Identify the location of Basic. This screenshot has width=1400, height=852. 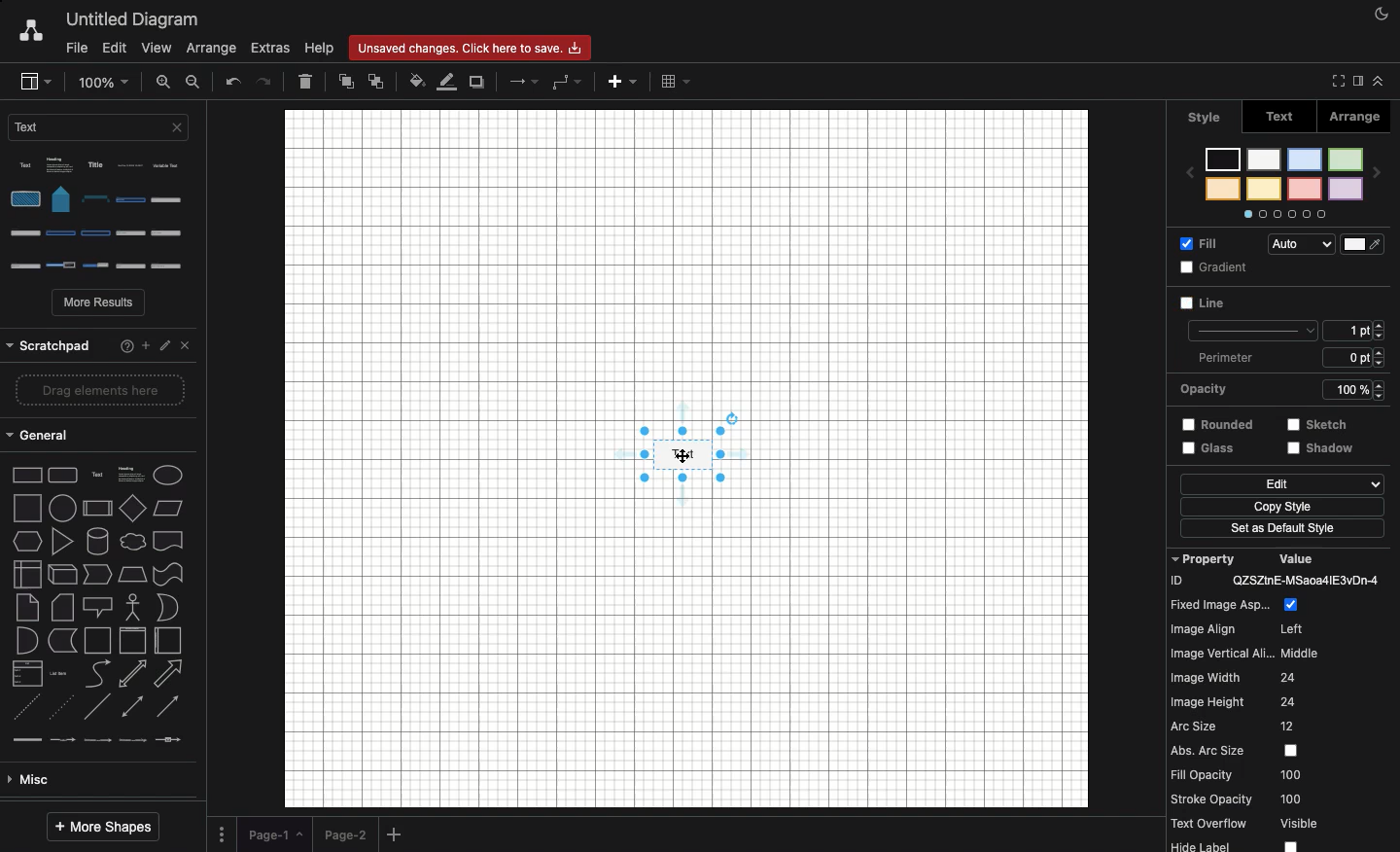
(98, 673).